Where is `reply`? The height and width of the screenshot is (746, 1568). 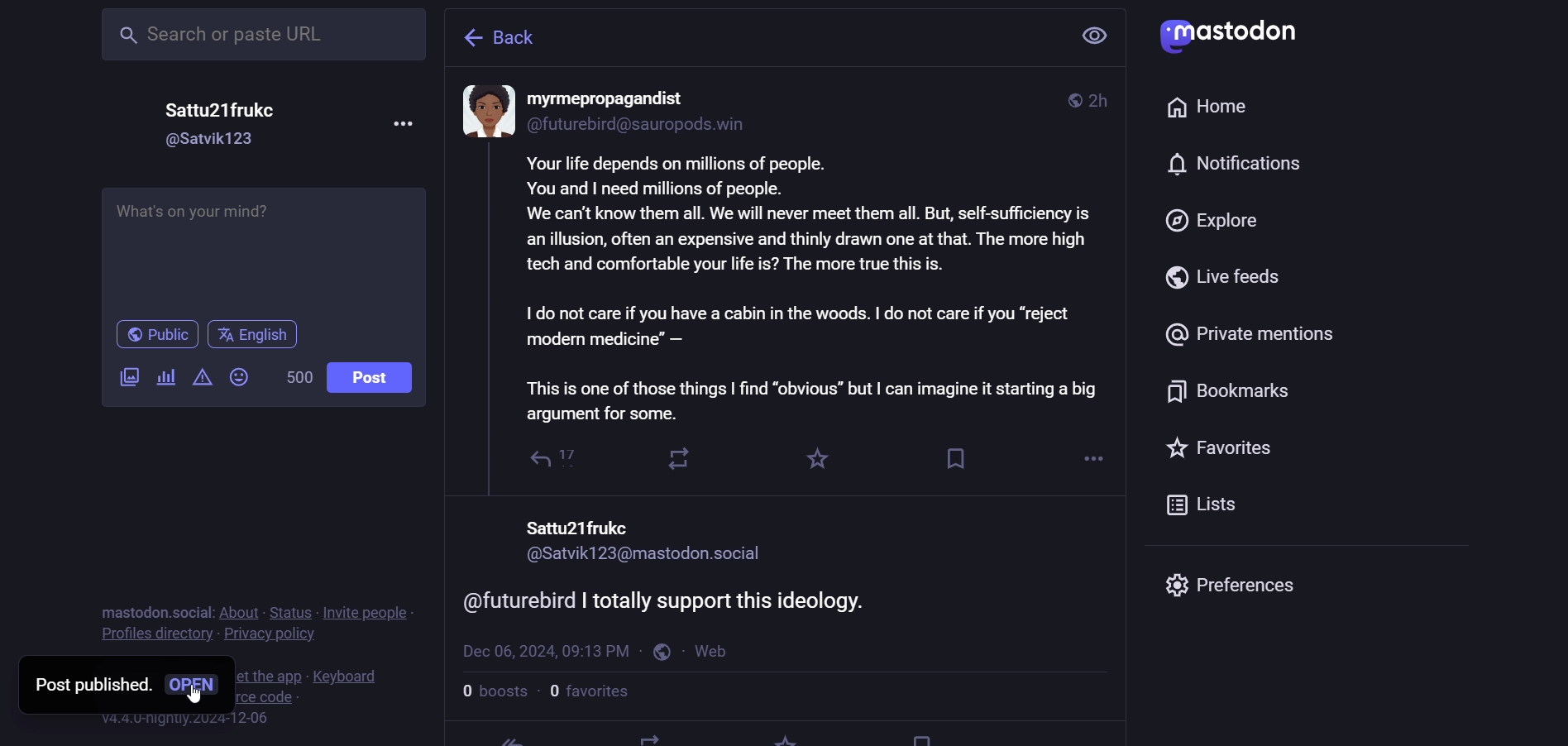 reply is located at coordinates (519, 736).